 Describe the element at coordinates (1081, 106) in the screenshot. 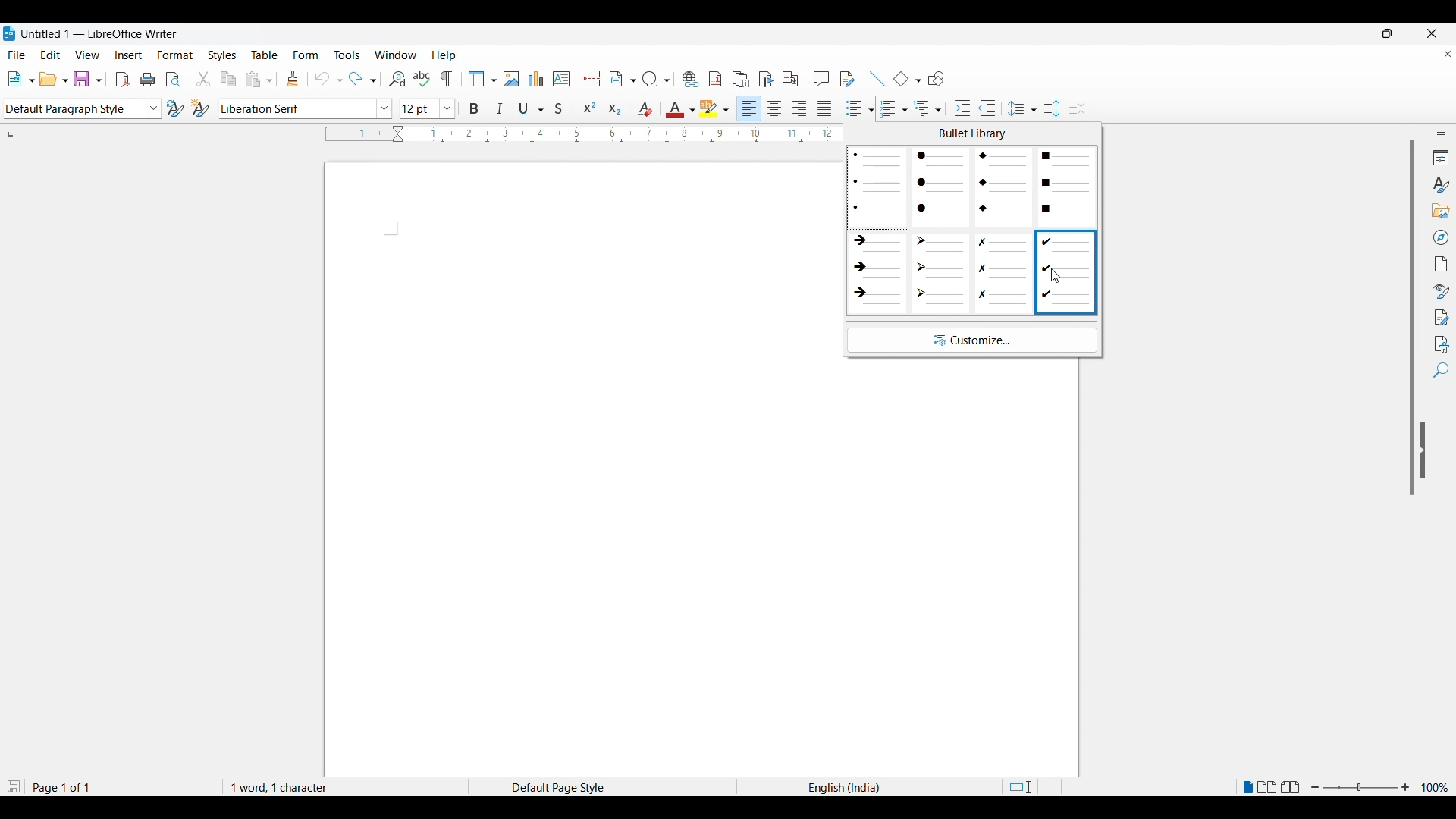

I see `Decrease line spacing` at that location.